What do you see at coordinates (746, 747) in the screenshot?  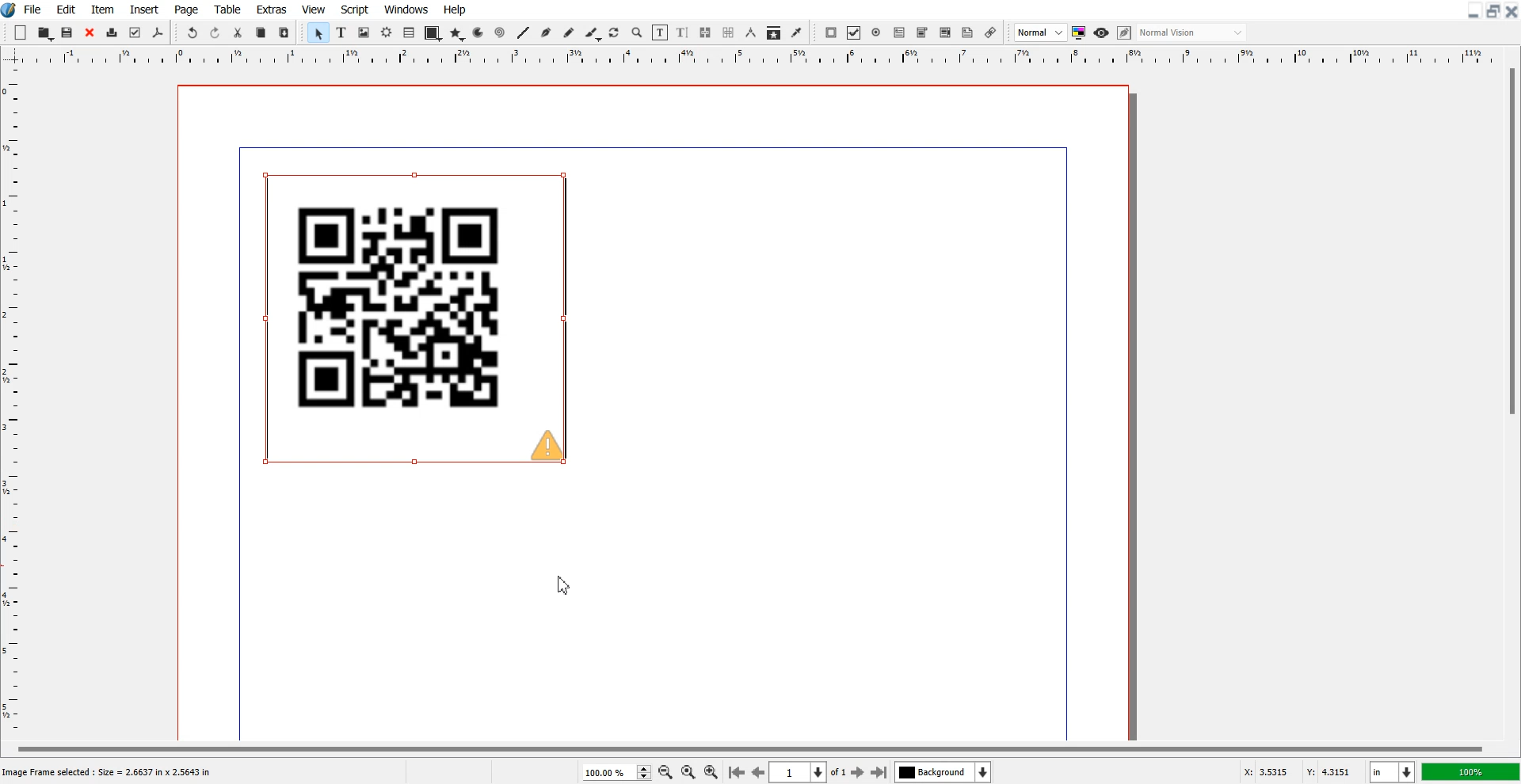 I see `Horizontal scroll bar` at bounding box center [746, 747].